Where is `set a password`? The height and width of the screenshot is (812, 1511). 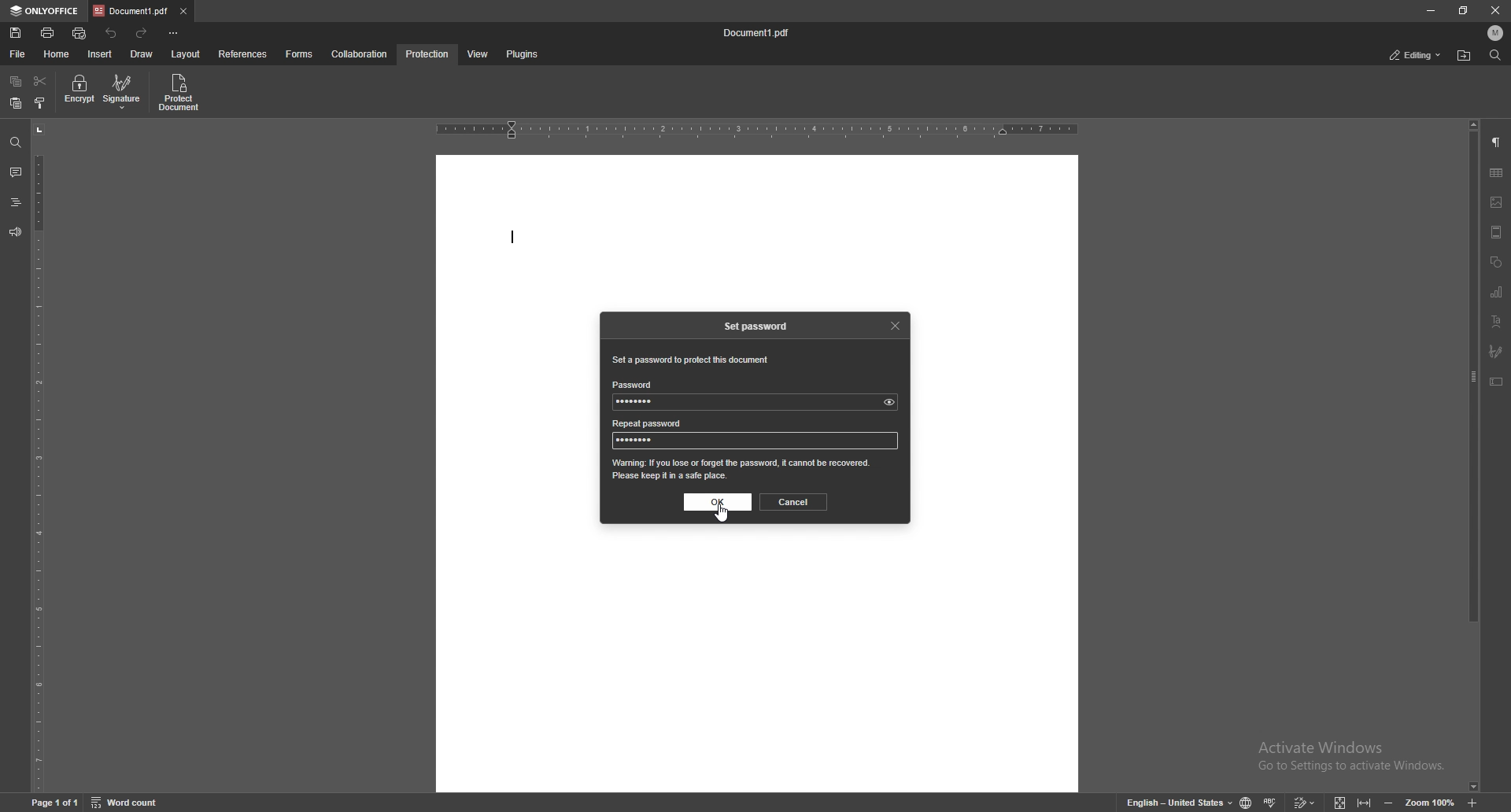
set a password is located at coordinates (690, 360).